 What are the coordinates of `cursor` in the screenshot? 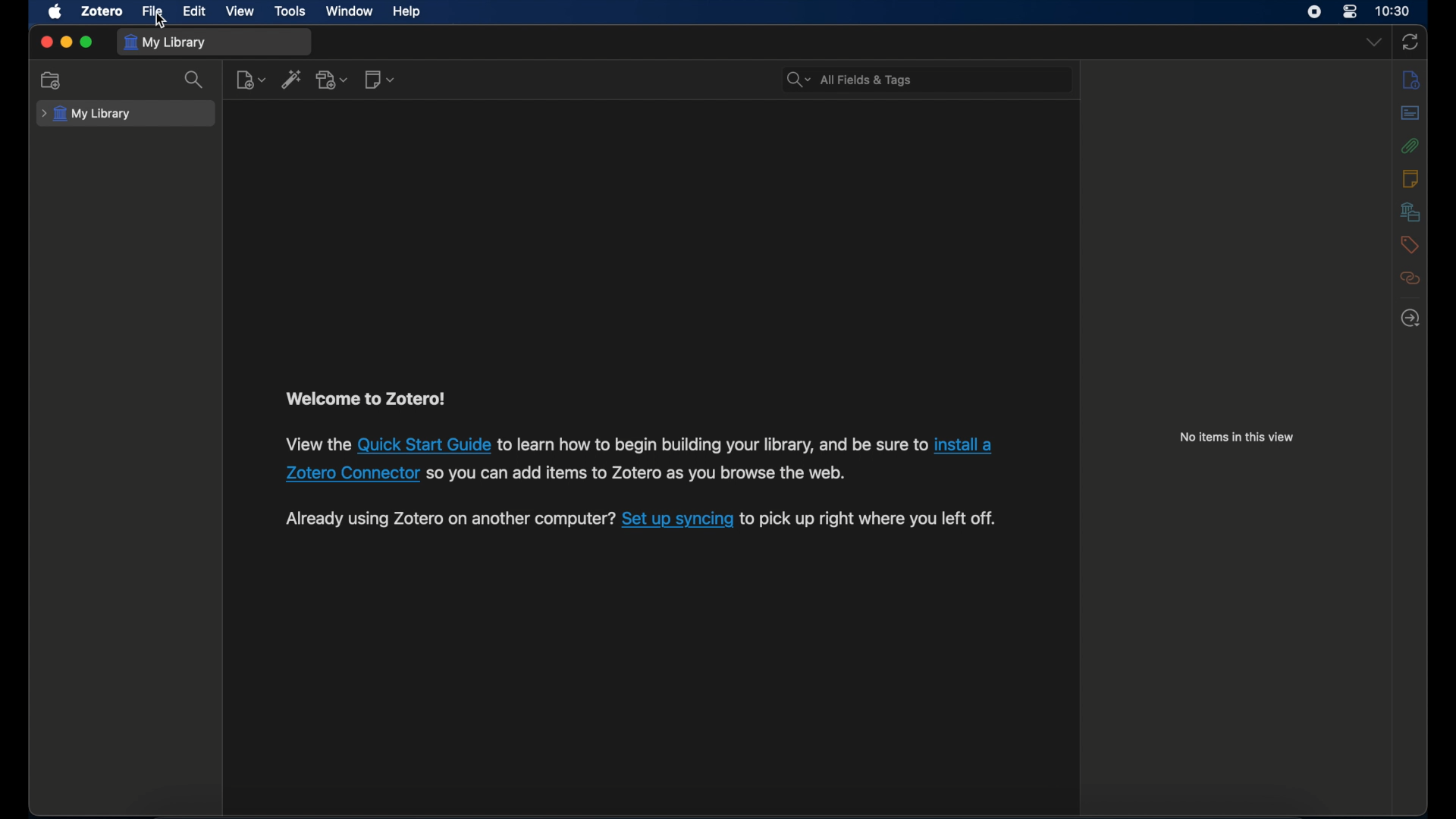 It's located at (161, 21).